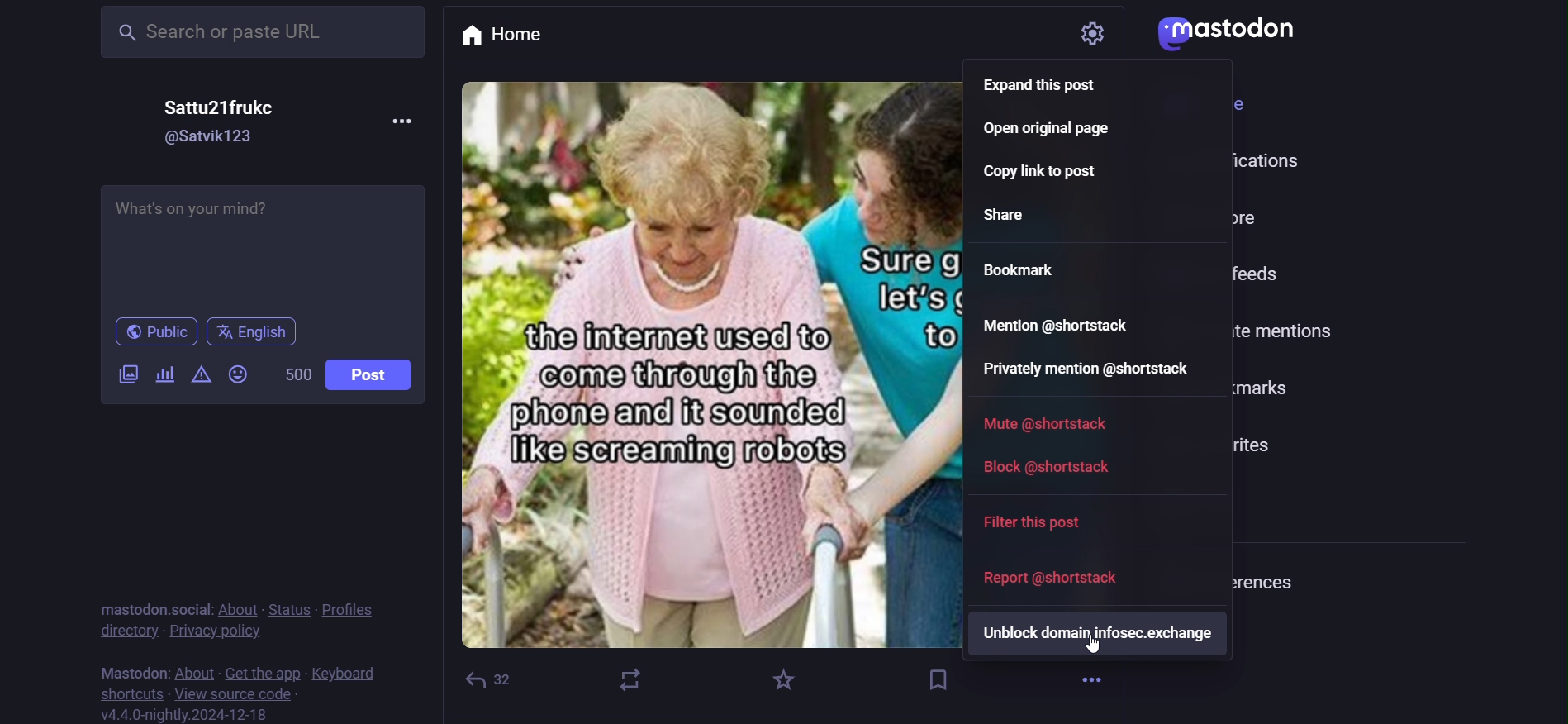 The width and height of the screenshot is (1568, 724). Describe the element at coordinates (1041, 467) in the screenshot. I see `block @shortstack` at that location.